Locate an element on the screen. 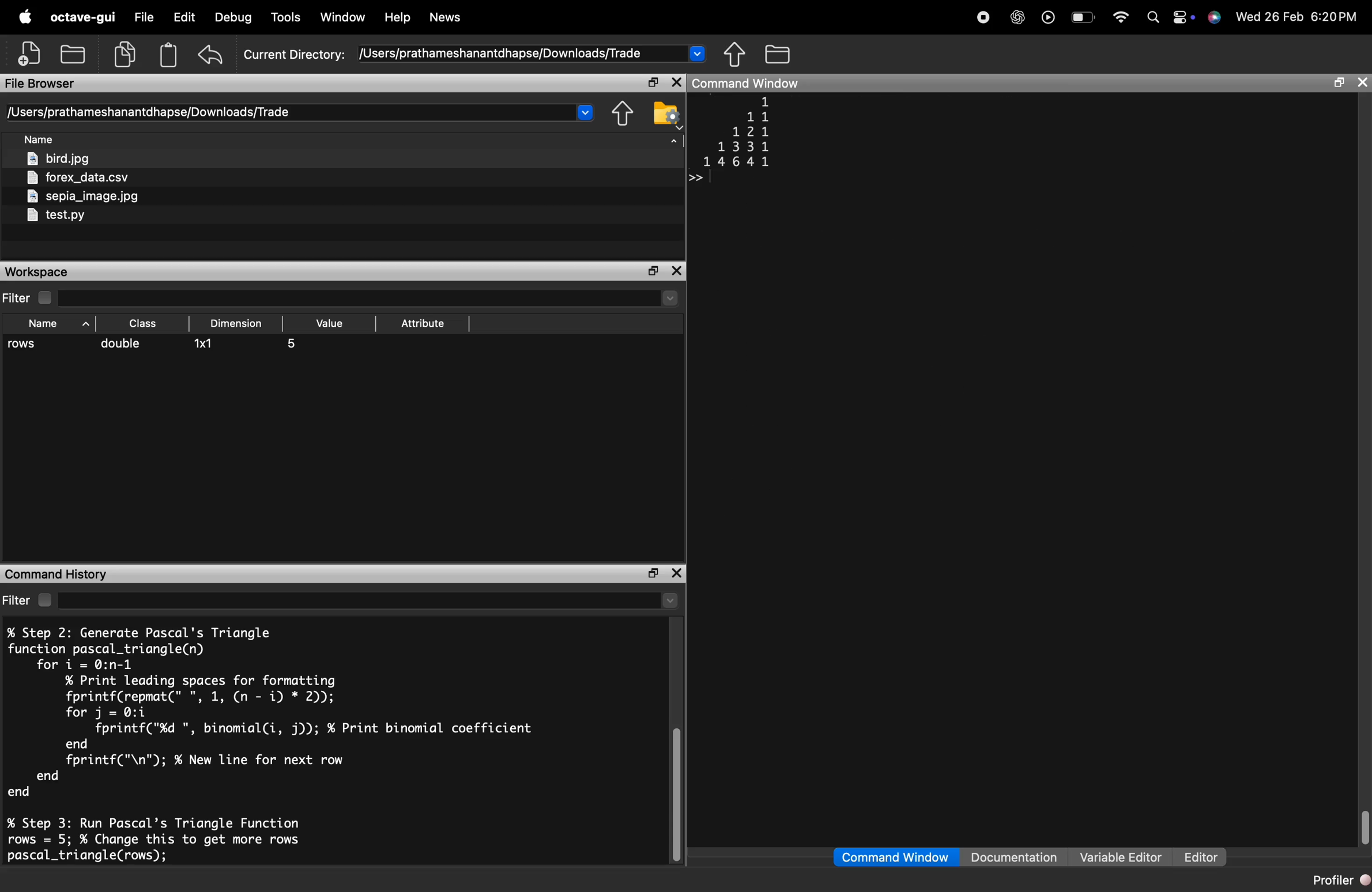 The image size is (1372, 892). find is located at coordinates (1154, 17).